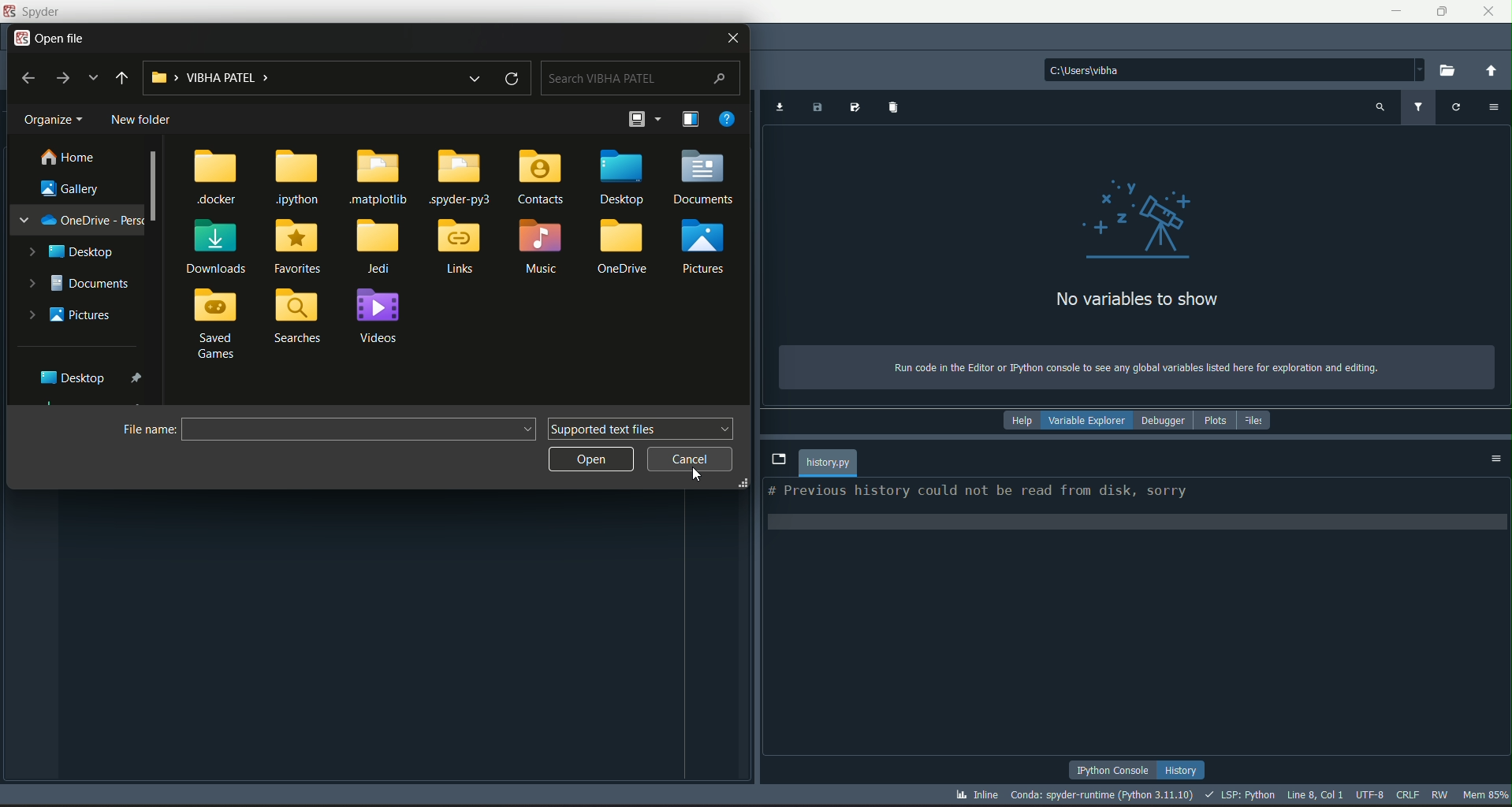 The image size is (1512, 807). I want to click on change your view, so click(636, 119).